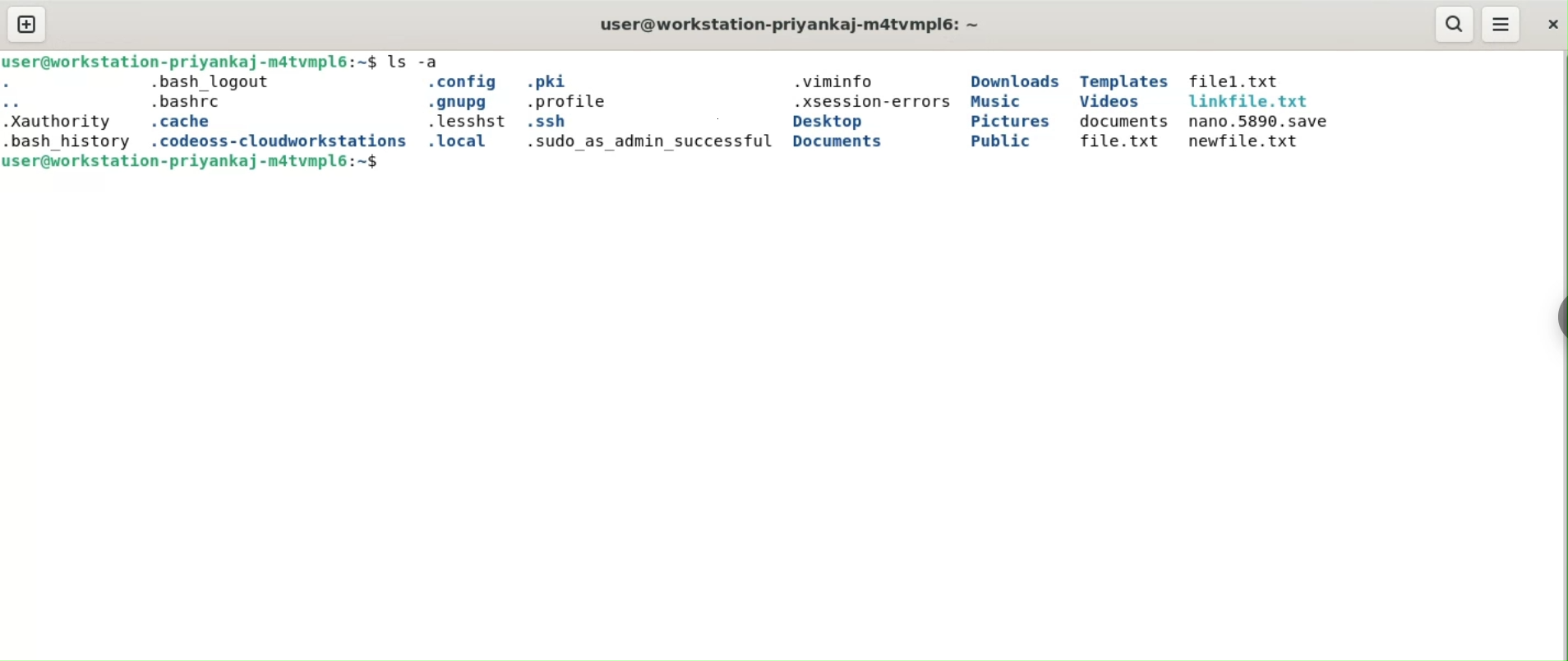 The height and width of the screenshot is (661, 1568). Describe the element at coordinates (1501, 24) in the screenshot. I see `menu` at that location.